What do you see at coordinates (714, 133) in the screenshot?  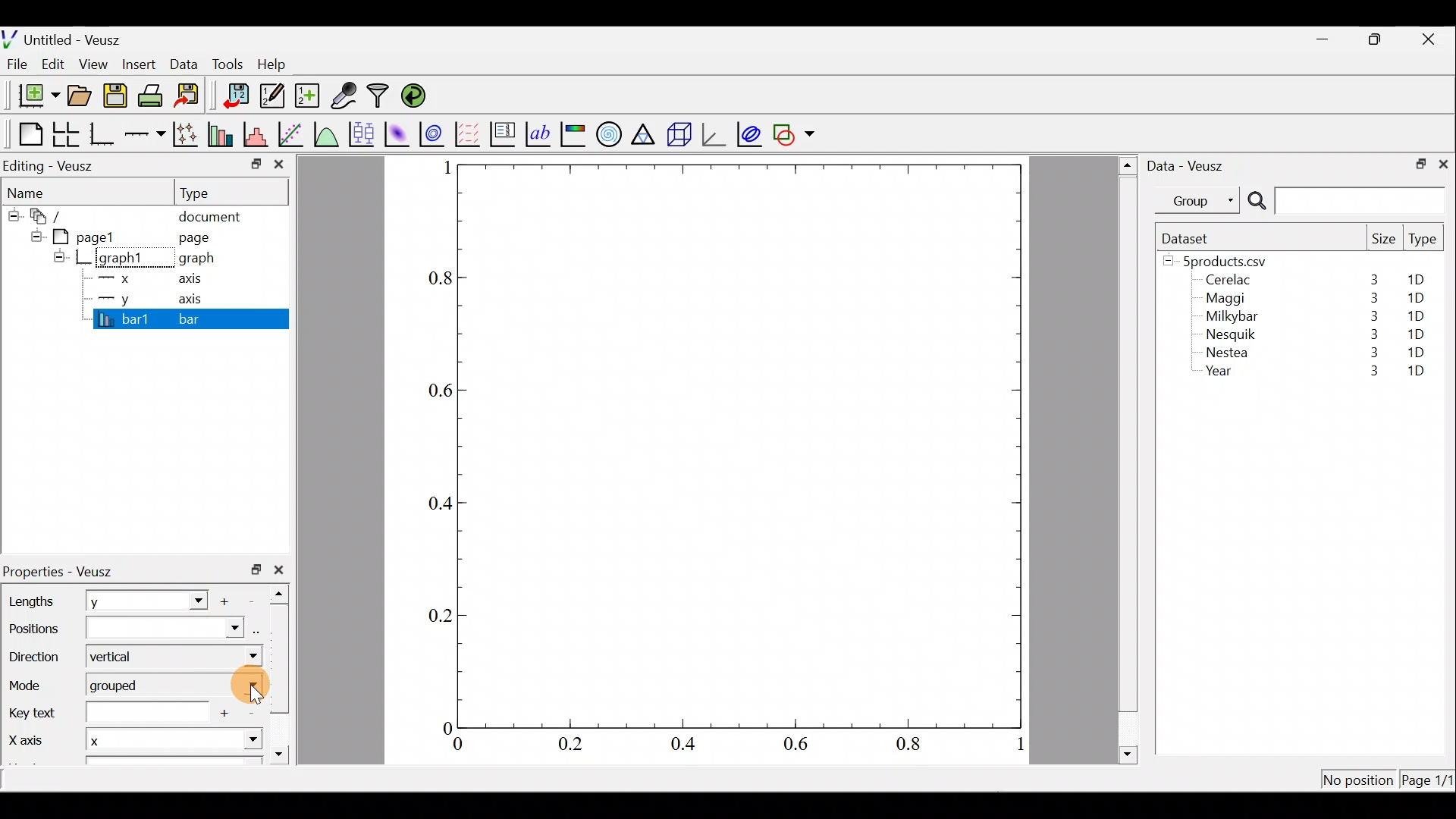 I see `3d graph` at bounding box center [714, 133].